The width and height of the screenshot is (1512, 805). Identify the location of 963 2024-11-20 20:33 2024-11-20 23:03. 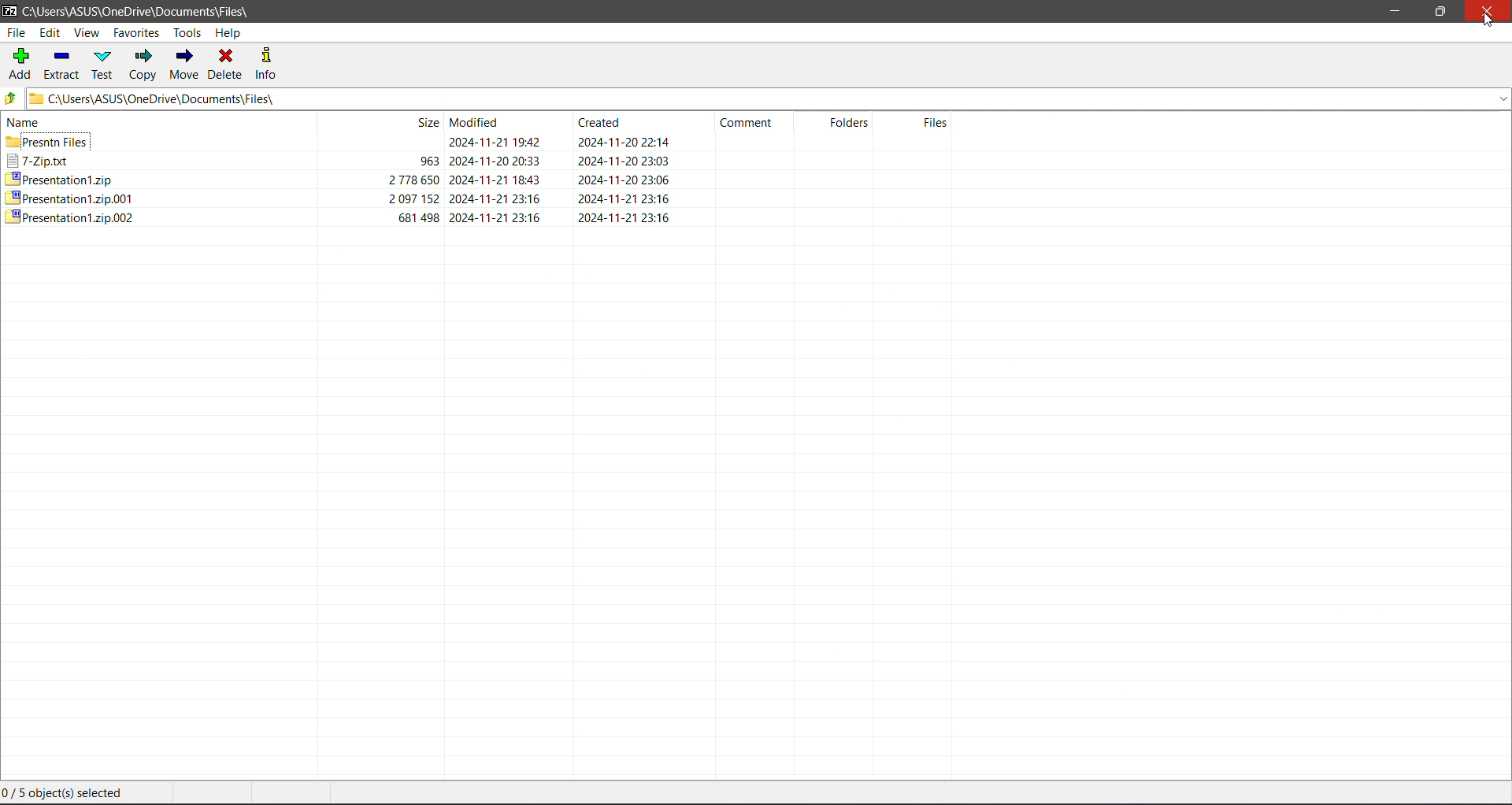
(551, 161).